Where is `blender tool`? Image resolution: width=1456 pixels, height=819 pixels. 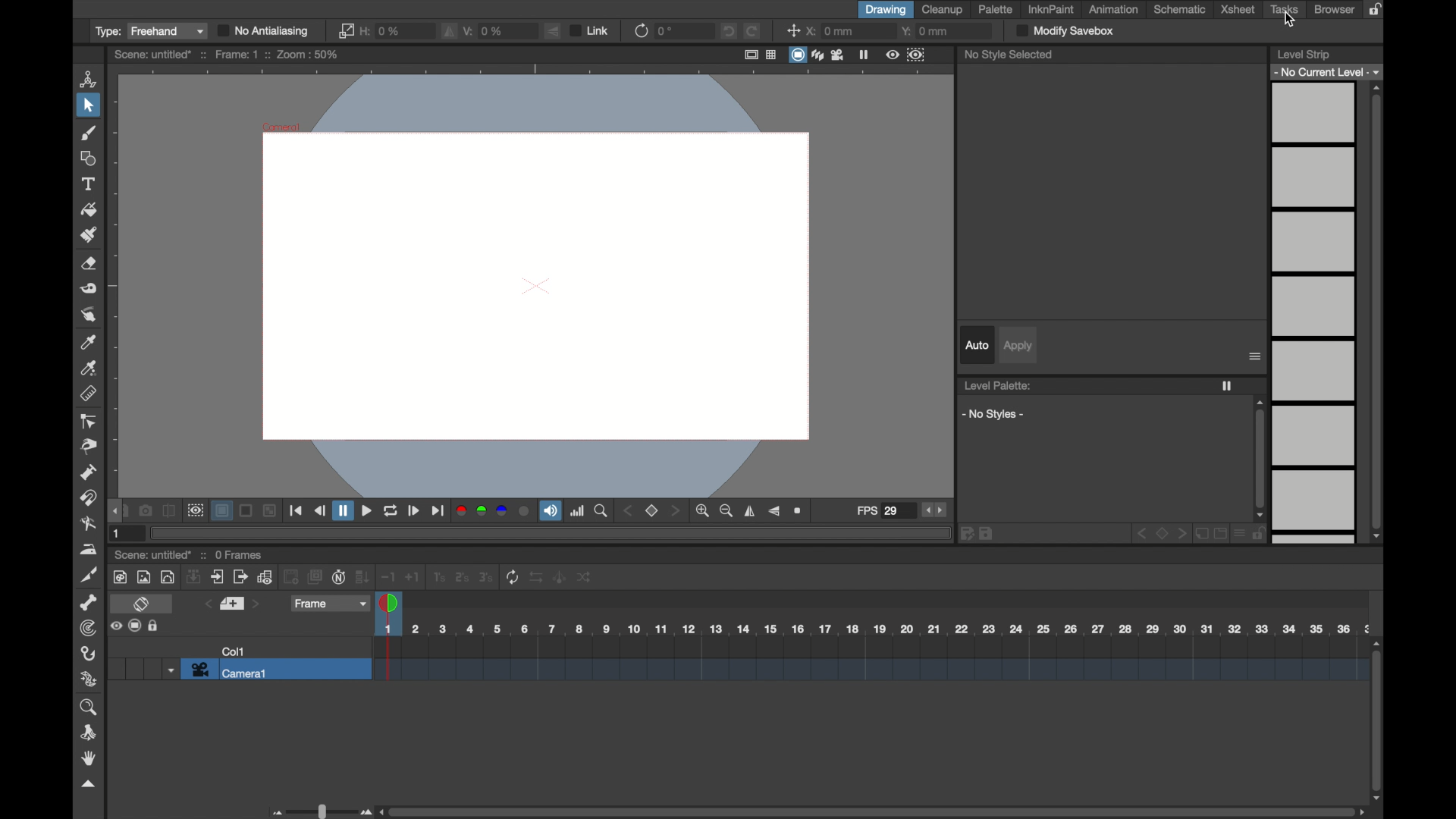 blender tool is located at coordinates (87, 523).